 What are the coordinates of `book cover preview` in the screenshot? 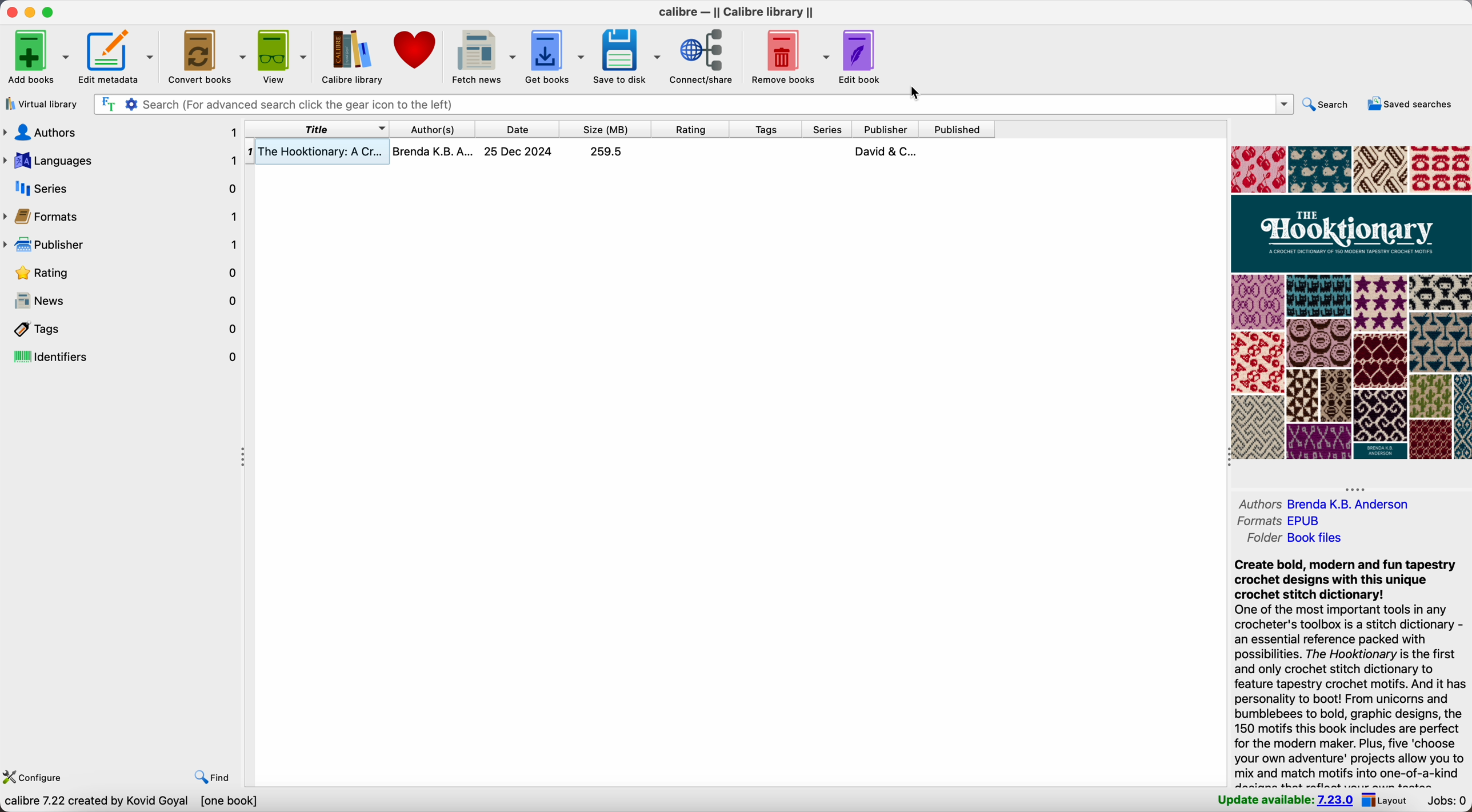 It's located at (1351, 302).